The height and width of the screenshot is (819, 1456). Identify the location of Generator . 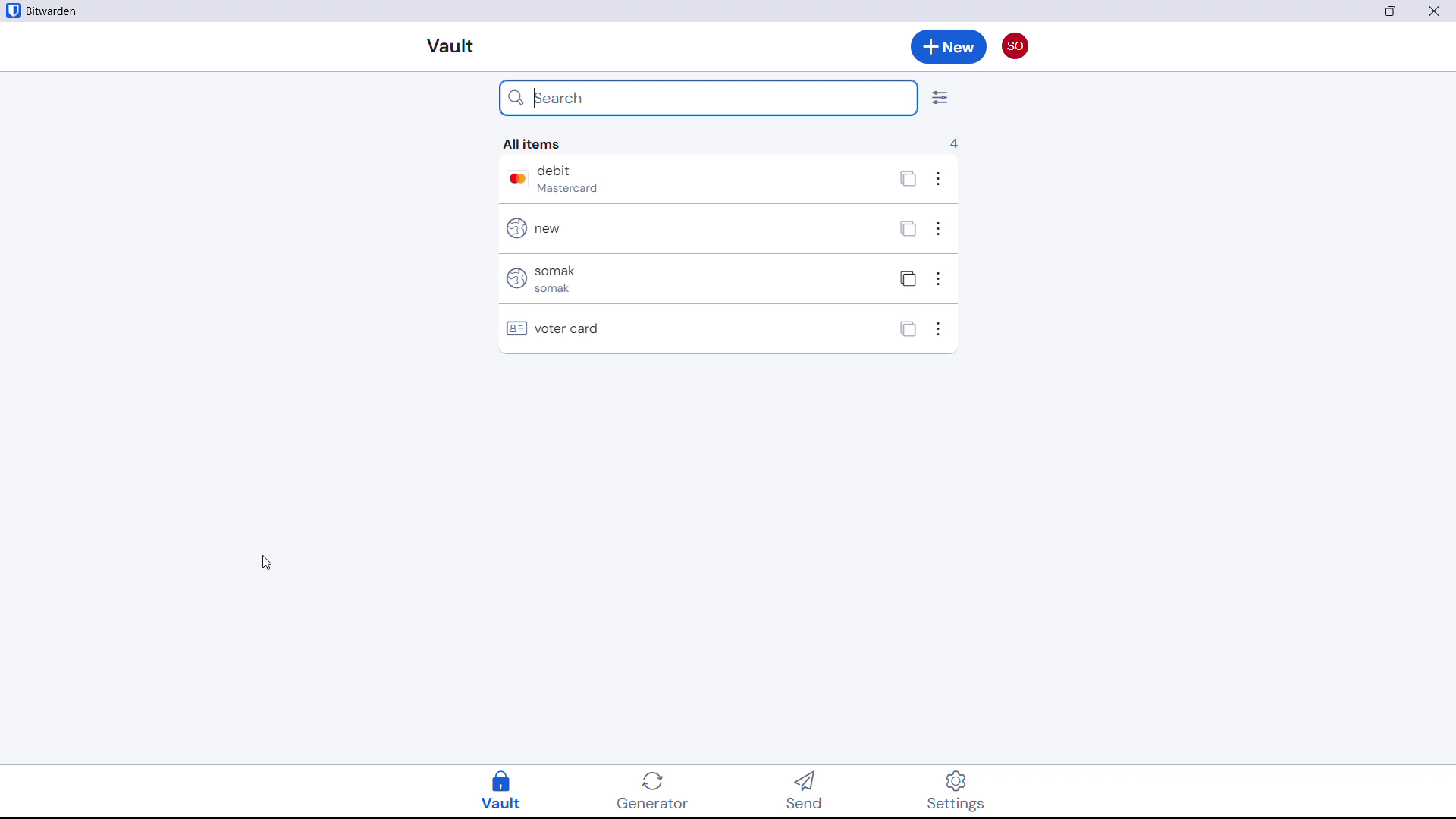
(667, 789).